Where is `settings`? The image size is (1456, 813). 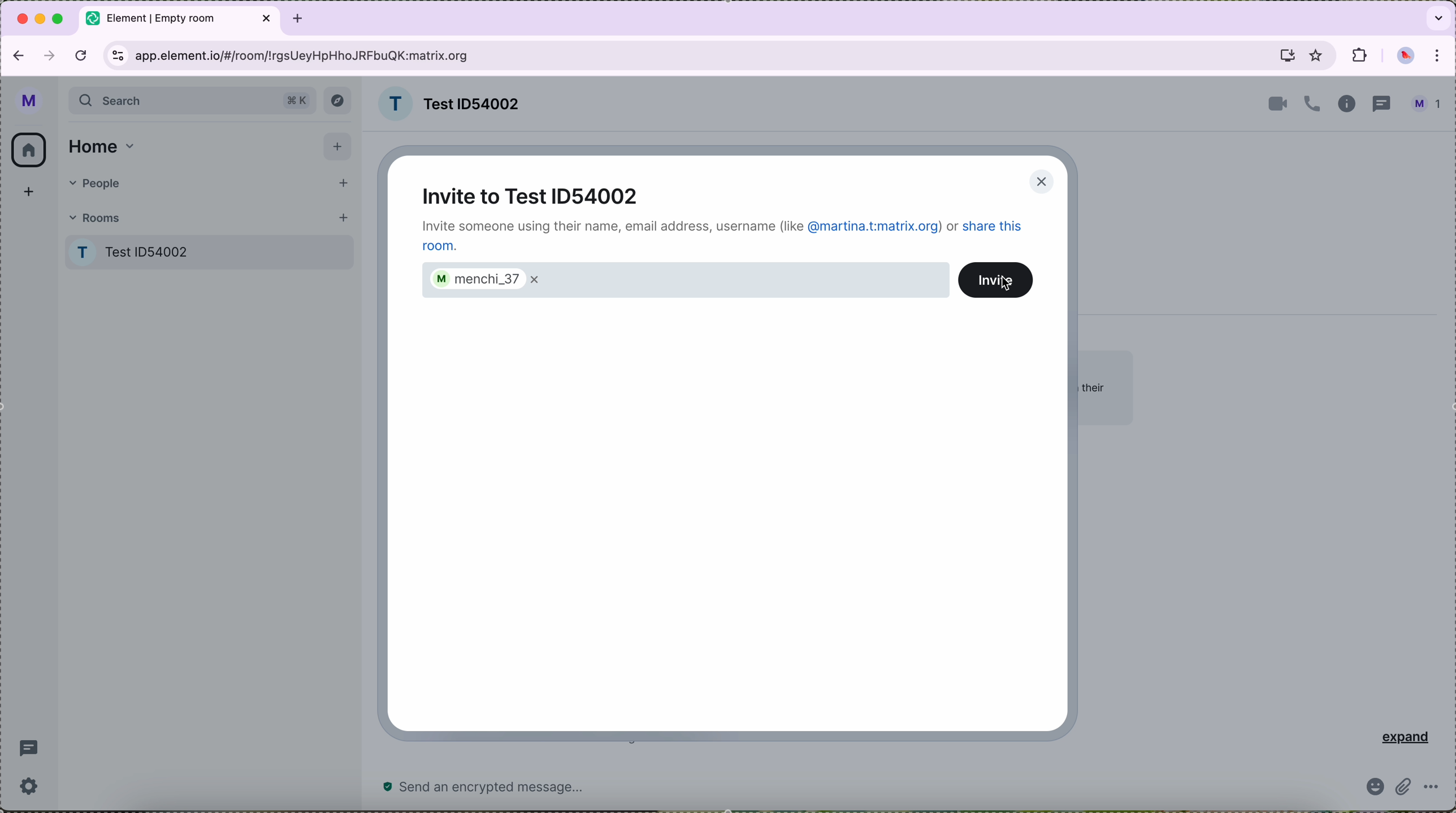
settings is located at coordinates (29, 785).